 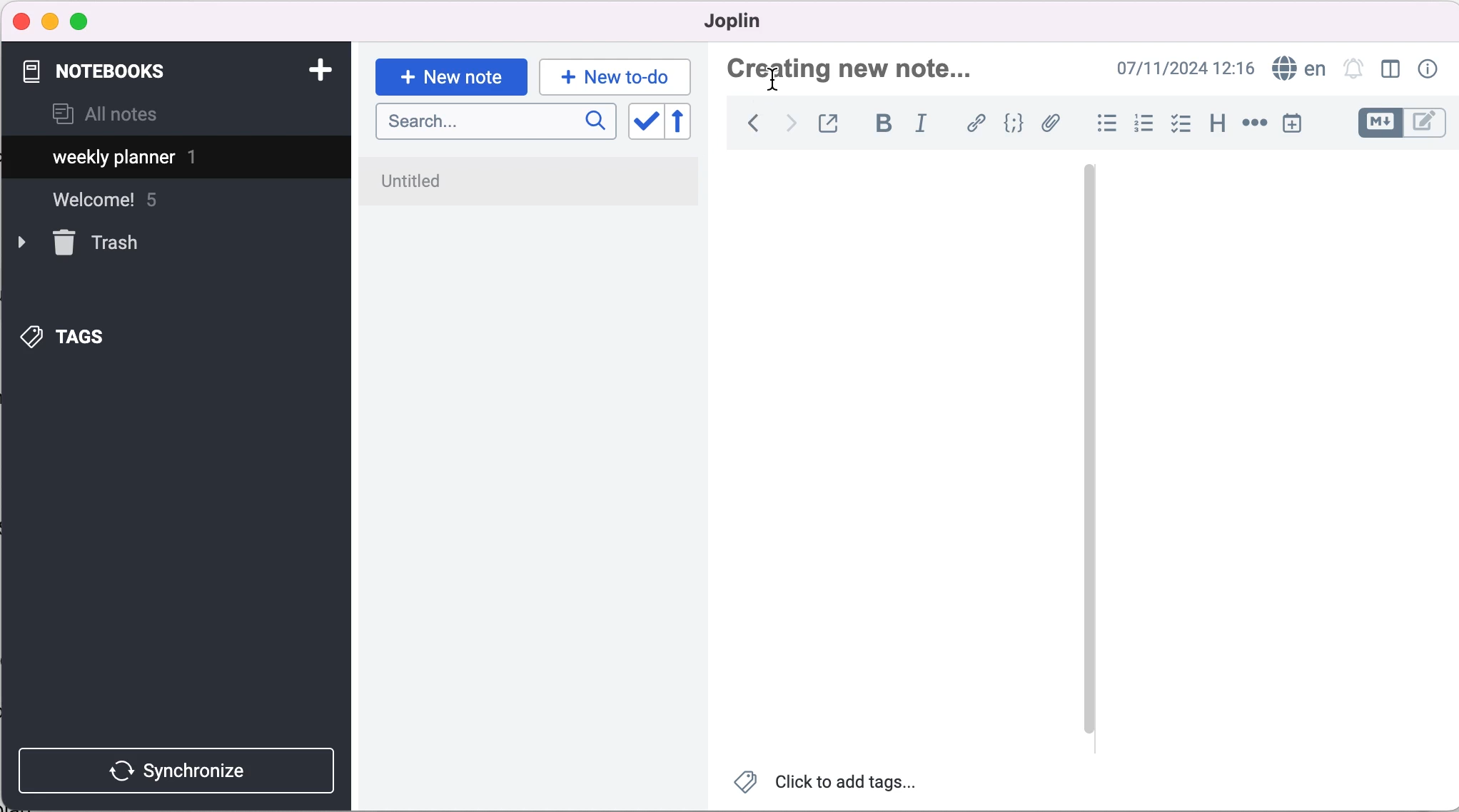 I want to click on weekly planner 1, so click(x=164, y=159).